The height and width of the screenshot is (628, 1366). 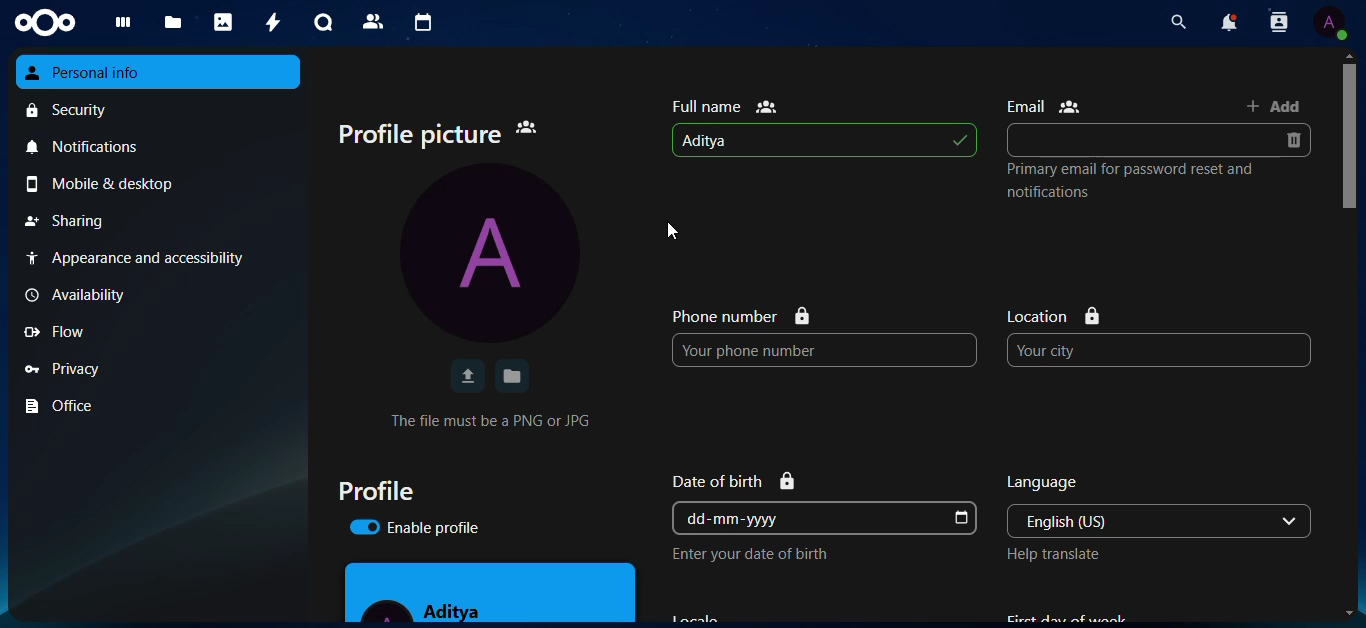 What do you see at coordinates (1140, 140) in the screenshot?
I see `email input box` at bounding box center [1140, 140].